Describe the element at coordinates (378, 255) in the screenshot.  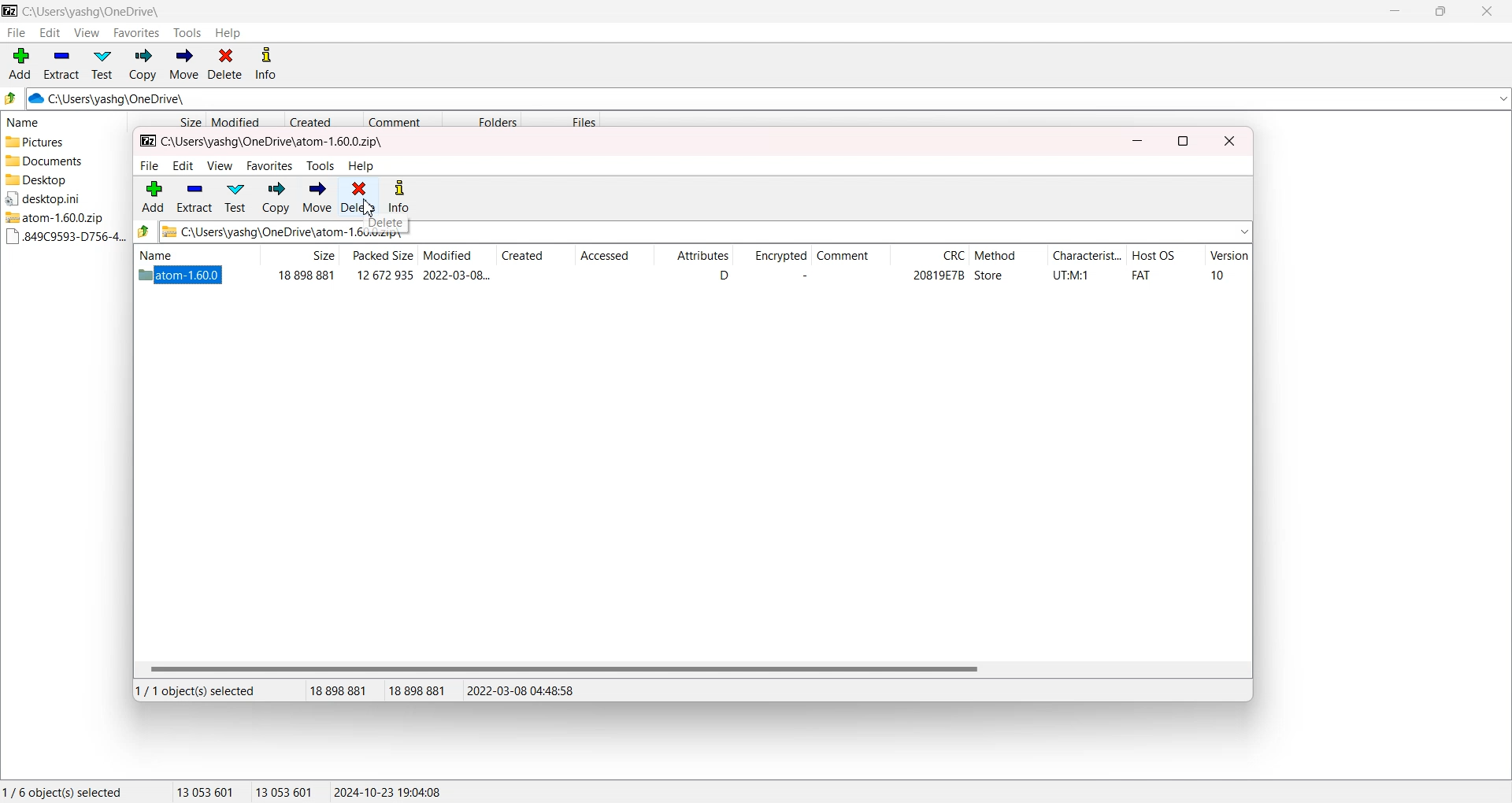
I see `Packed Size` at that location.